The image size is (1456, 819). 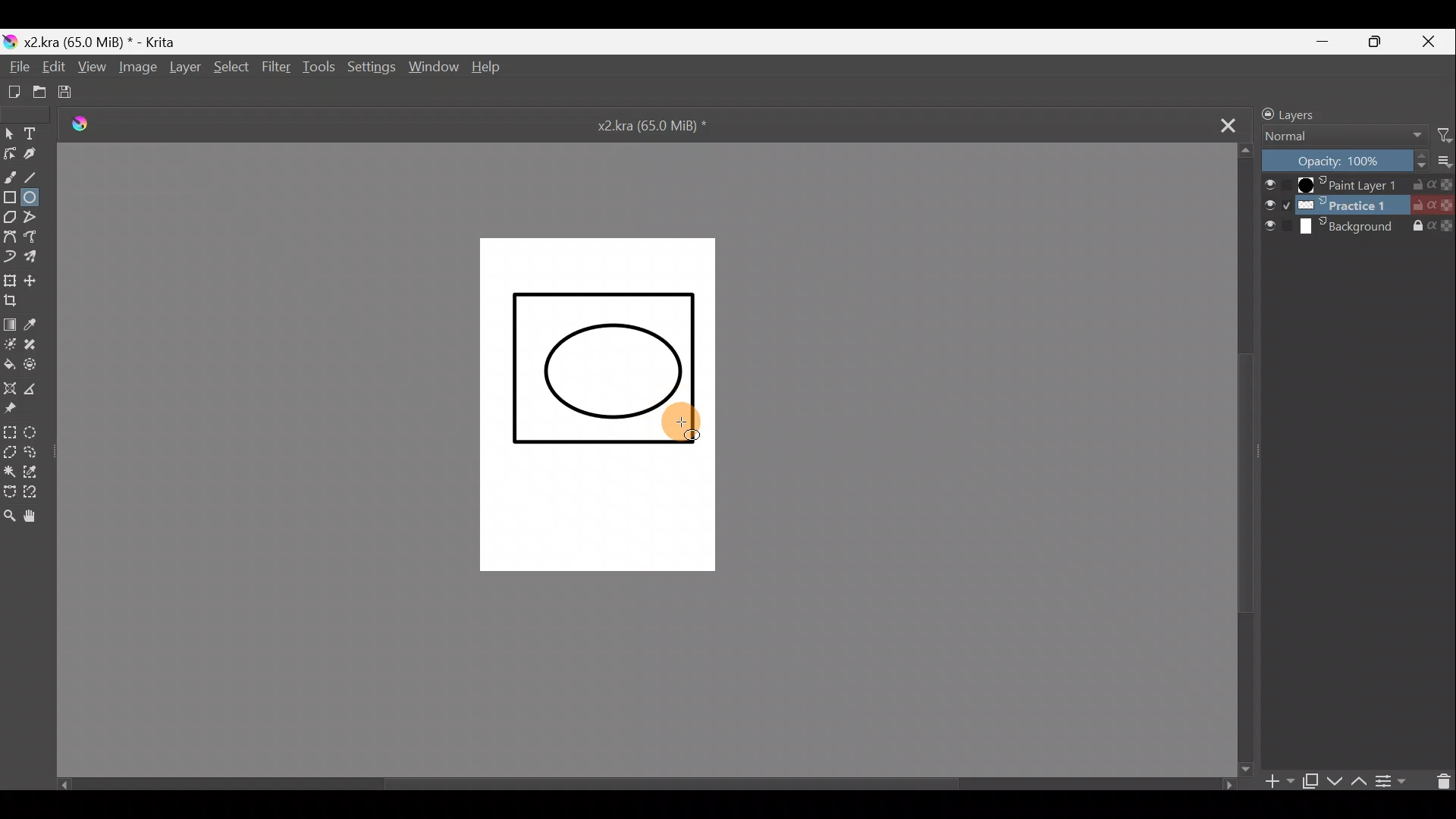 What do you see at coordinates (686, 425) in the screenshot?
I see `Cursor` at bounding box center [686, 425].